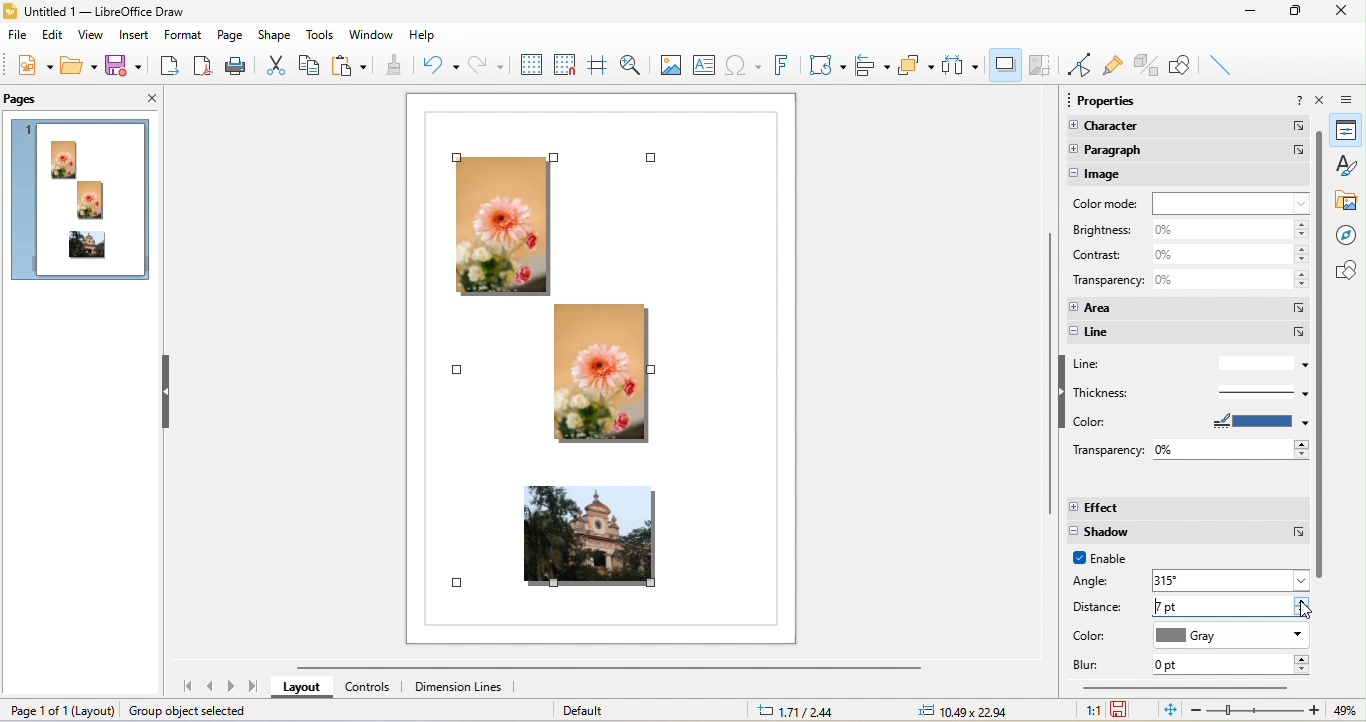 This screenshot has width=1366, height=722. What do you see at coordinates (212, 687) in the screenshot?
I see `previous page` at bounding box center [212, 687].